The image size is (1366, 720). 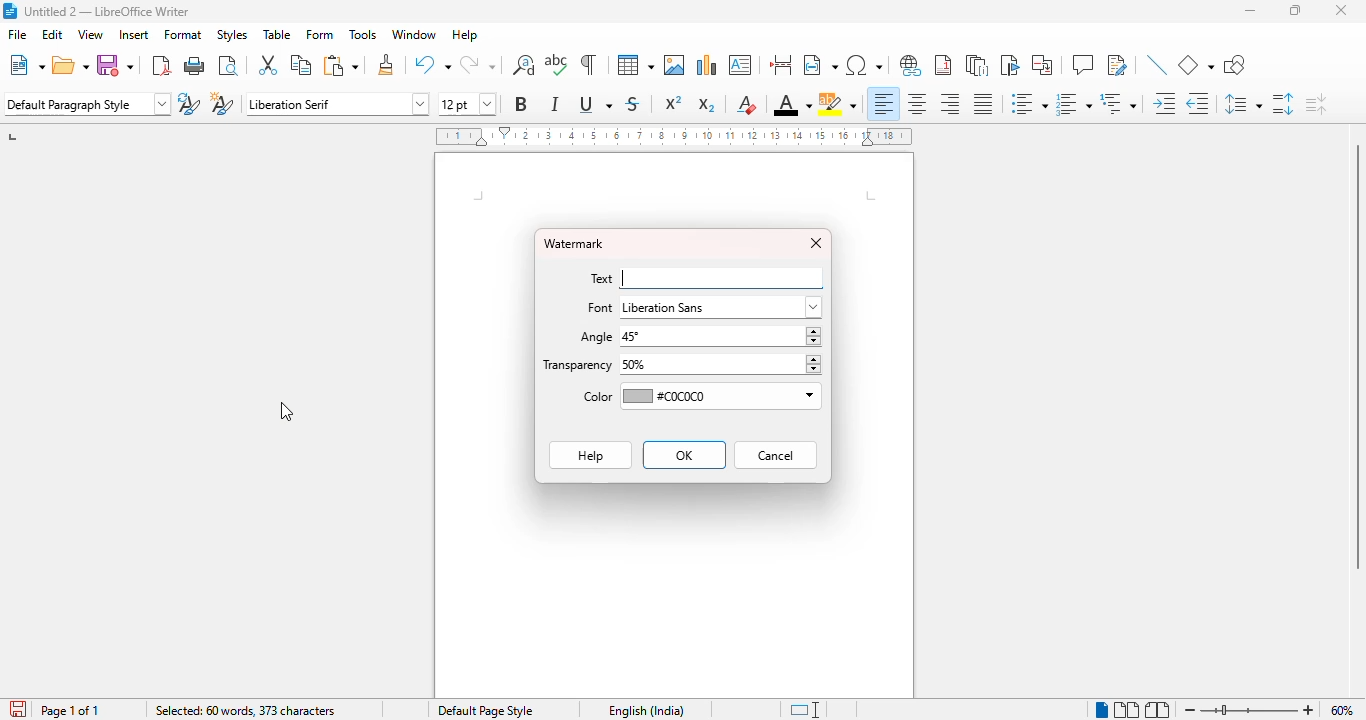 What do you see at coordinates (520, 103) in the screenshot?
I see `bold` at bounding box center [520, 103].